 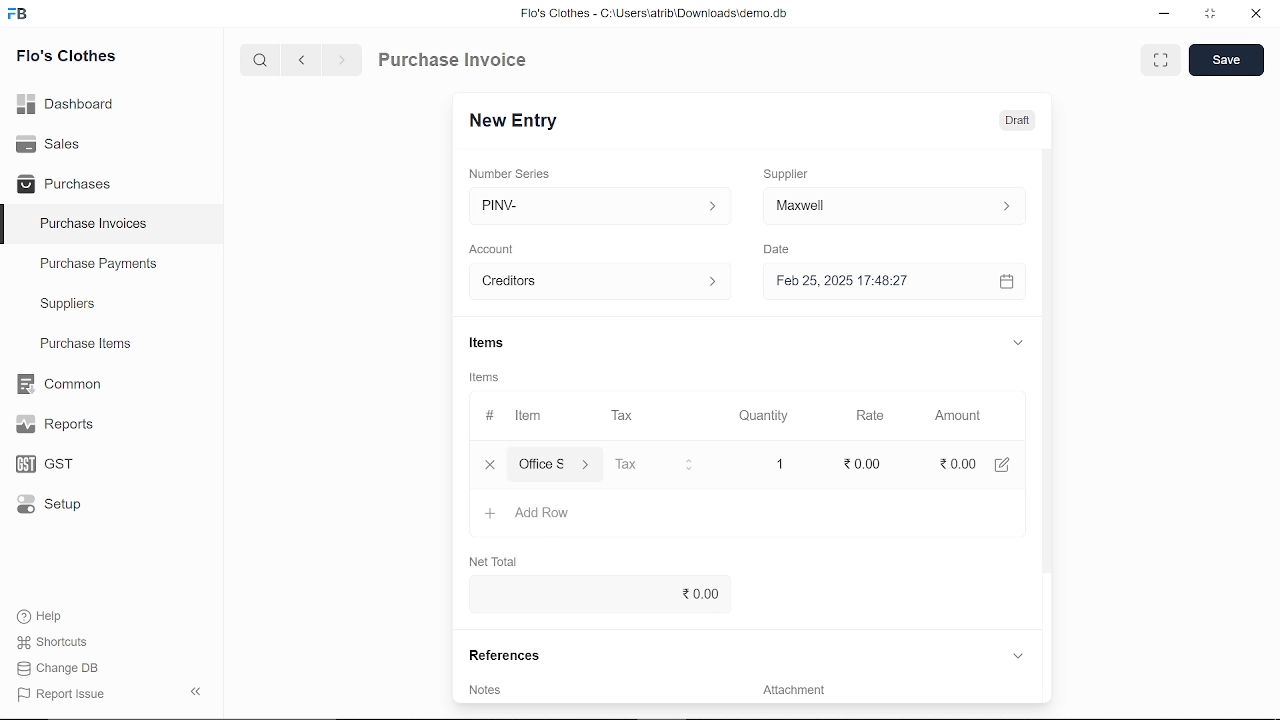 I want to click on Rate, so click(x=867, y=415).